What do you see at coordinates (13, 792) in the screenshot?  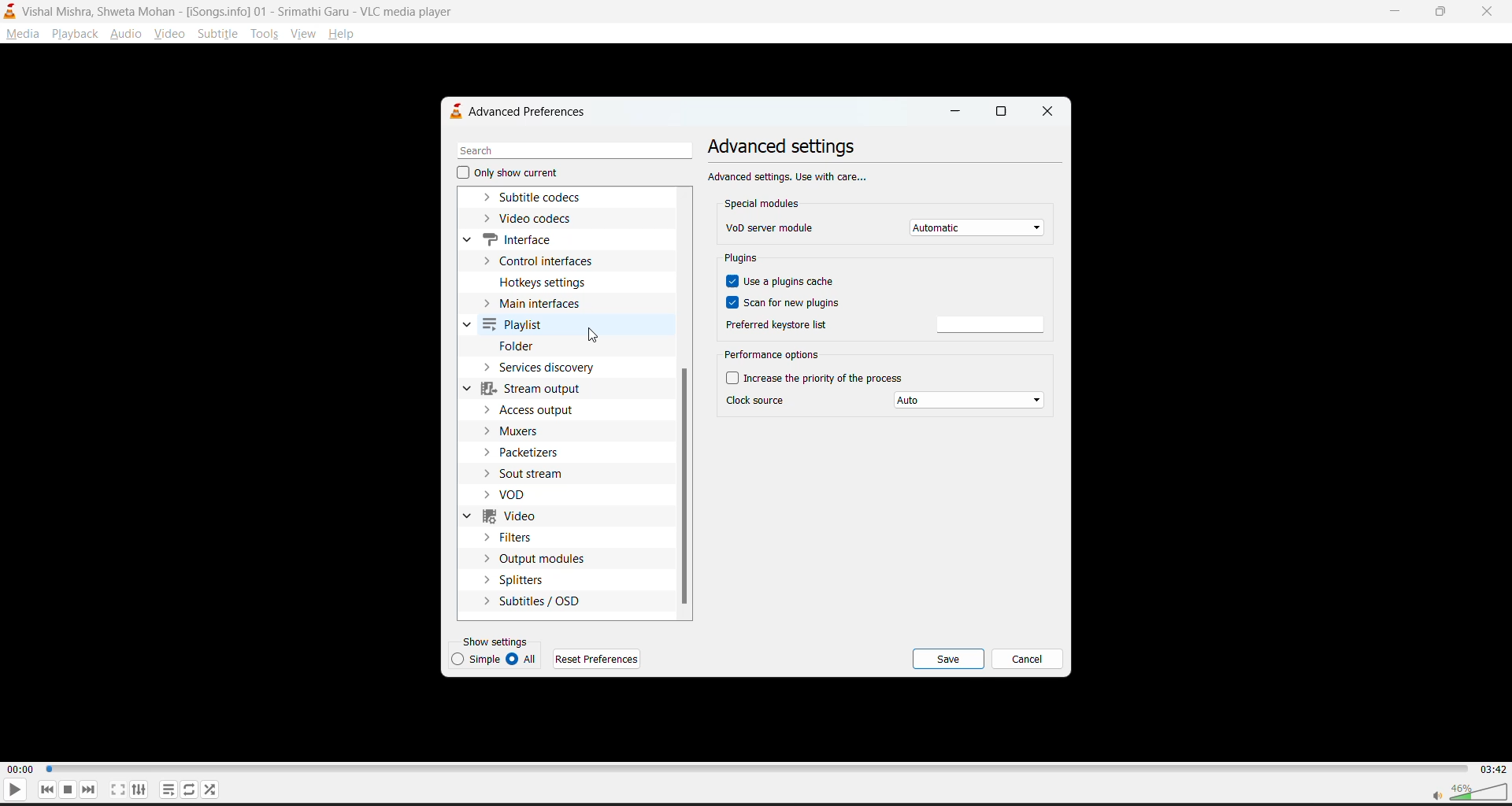 I see `play` at bounding box center [13, 792].